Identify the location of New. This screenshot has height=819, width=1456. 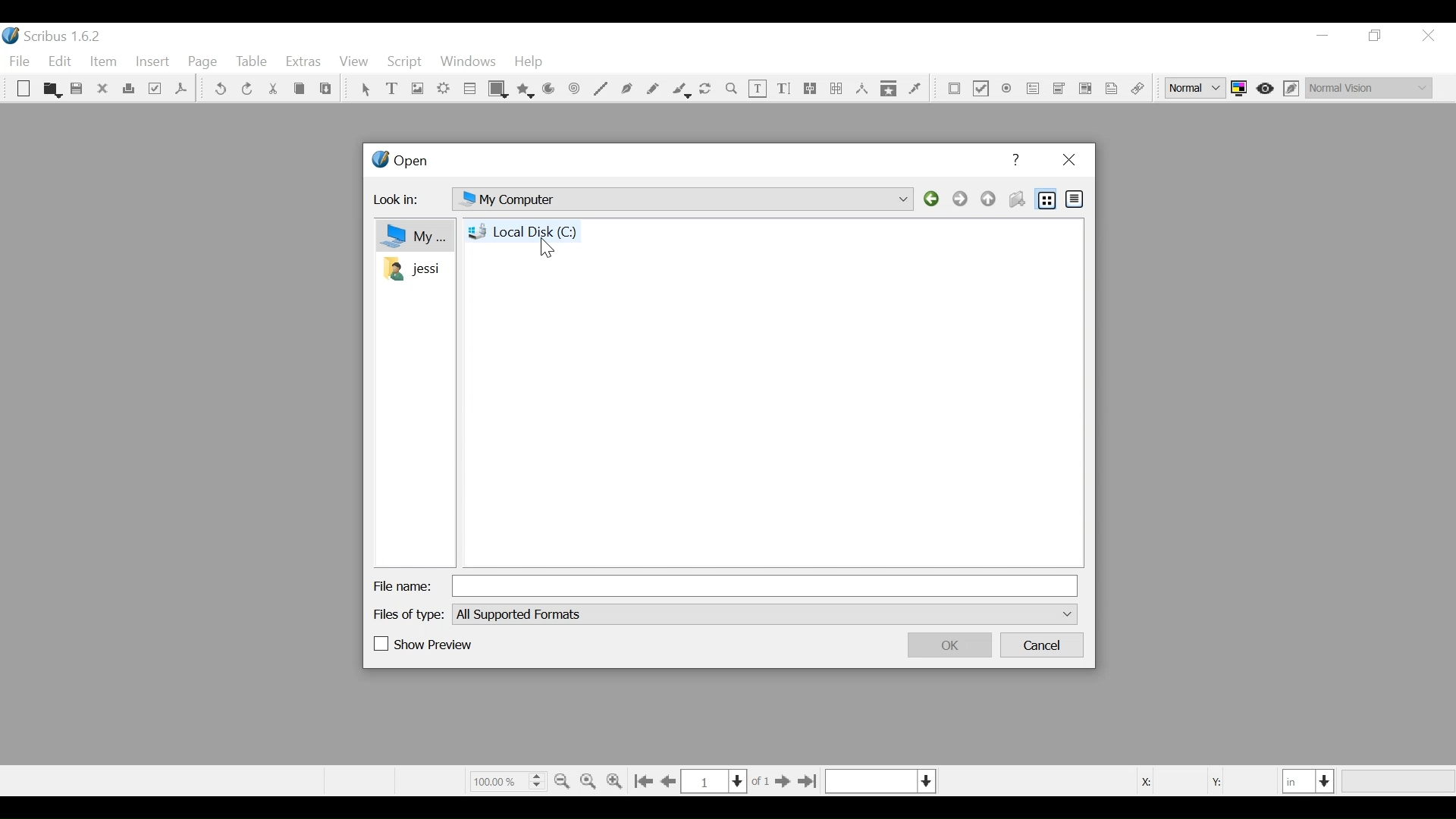
(24, 90).